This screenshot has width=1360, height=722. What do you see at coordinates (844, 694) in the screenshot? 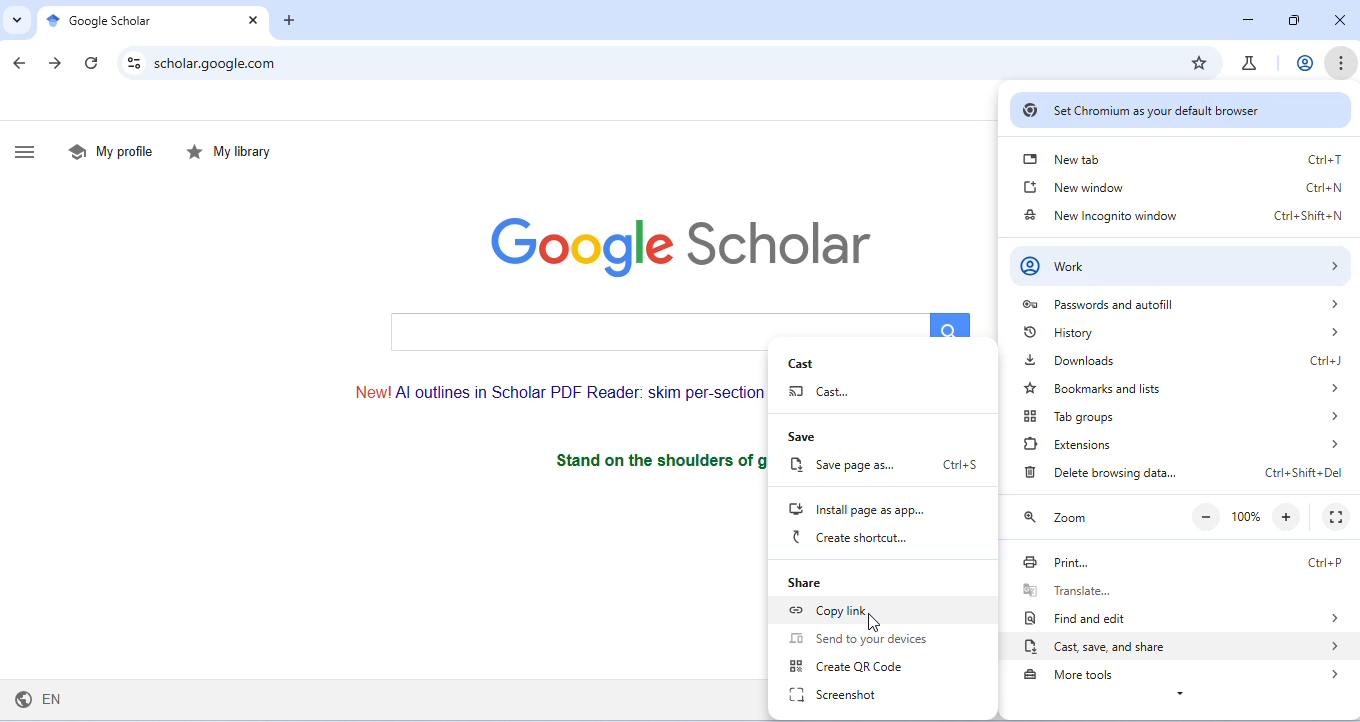
I see `screenshot` at bounding box center [844, 694].